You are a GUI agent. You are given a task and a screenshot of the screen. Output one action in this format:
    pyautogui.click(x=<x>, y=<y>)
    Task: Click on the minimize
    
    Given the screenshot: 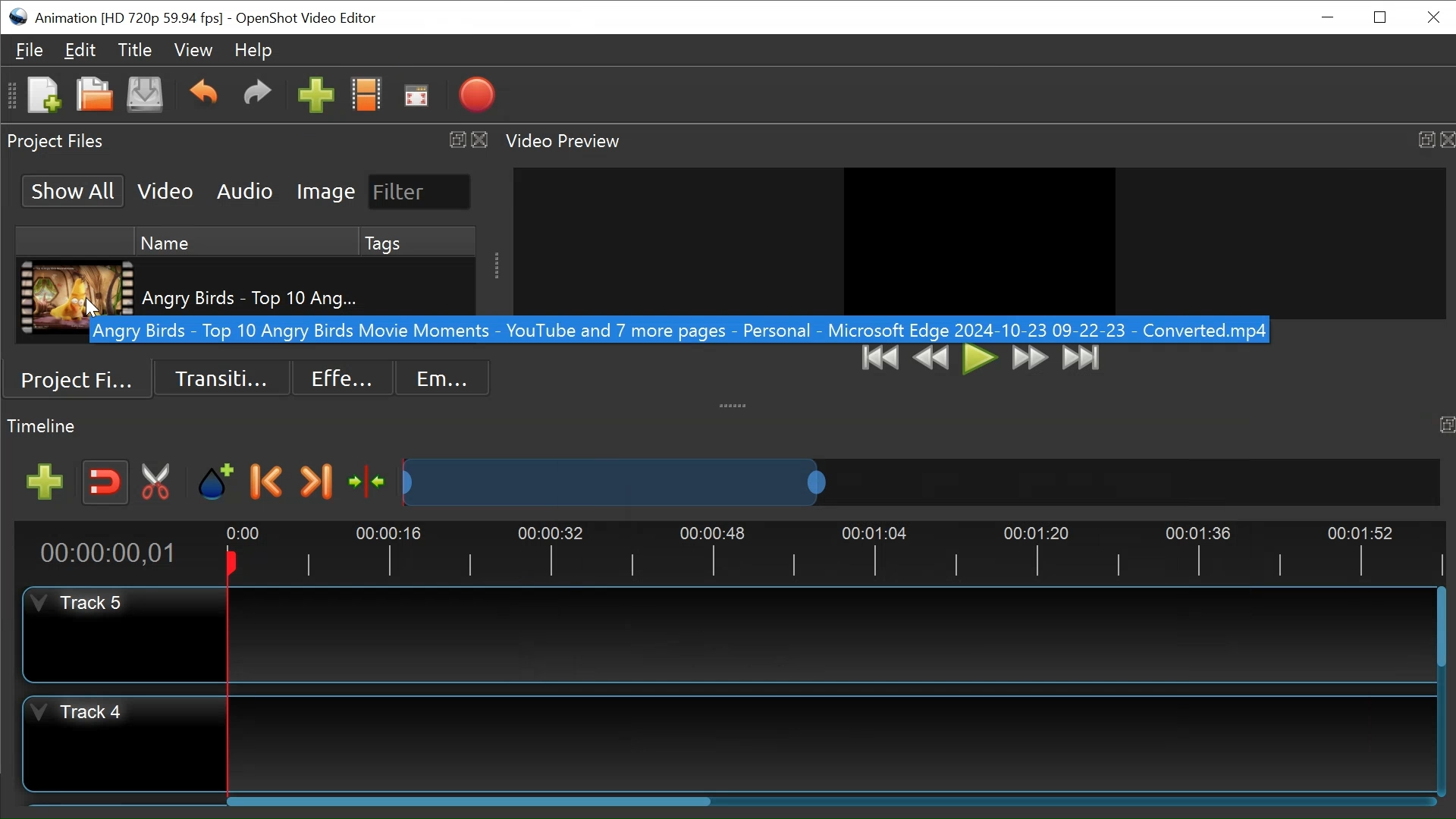 What is the action you would take?
    pyautogui.click(x=1328, y=16)
    